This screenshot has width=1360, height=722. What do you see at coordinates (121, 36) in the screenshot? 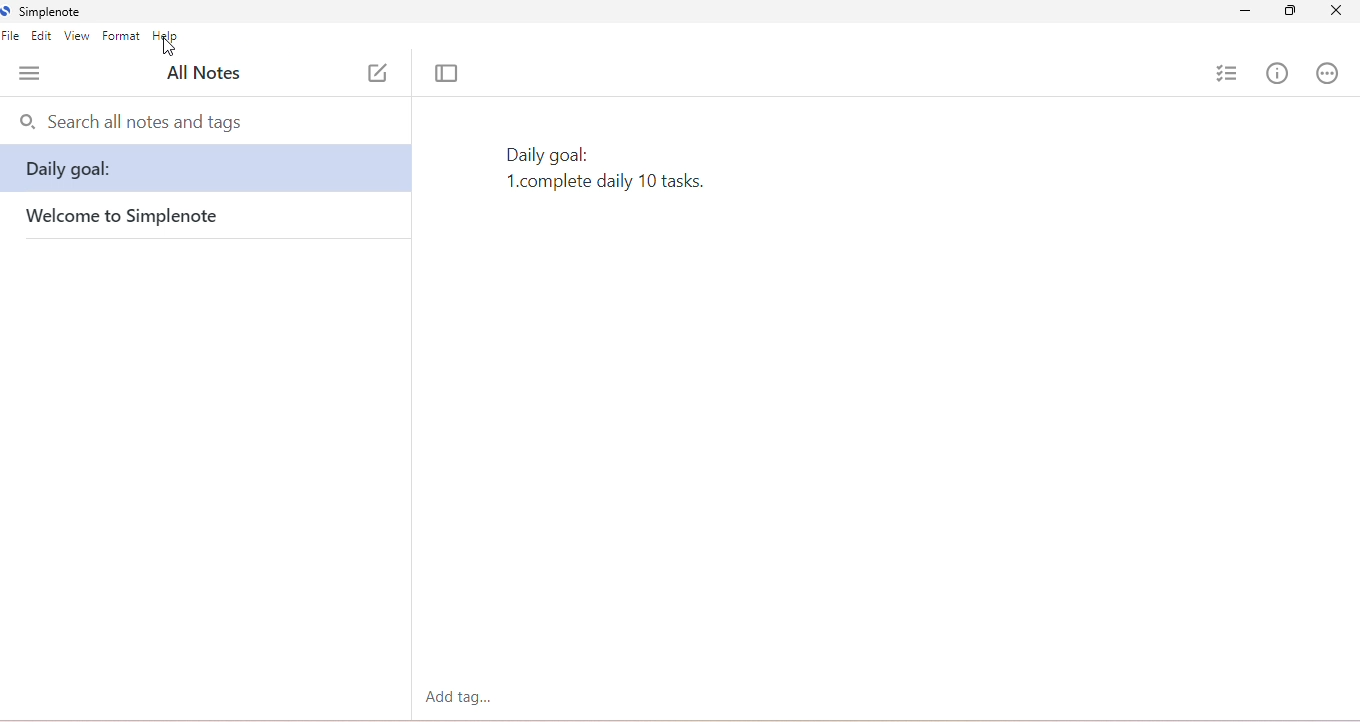
I see `format` at bounding box center [121, 36].